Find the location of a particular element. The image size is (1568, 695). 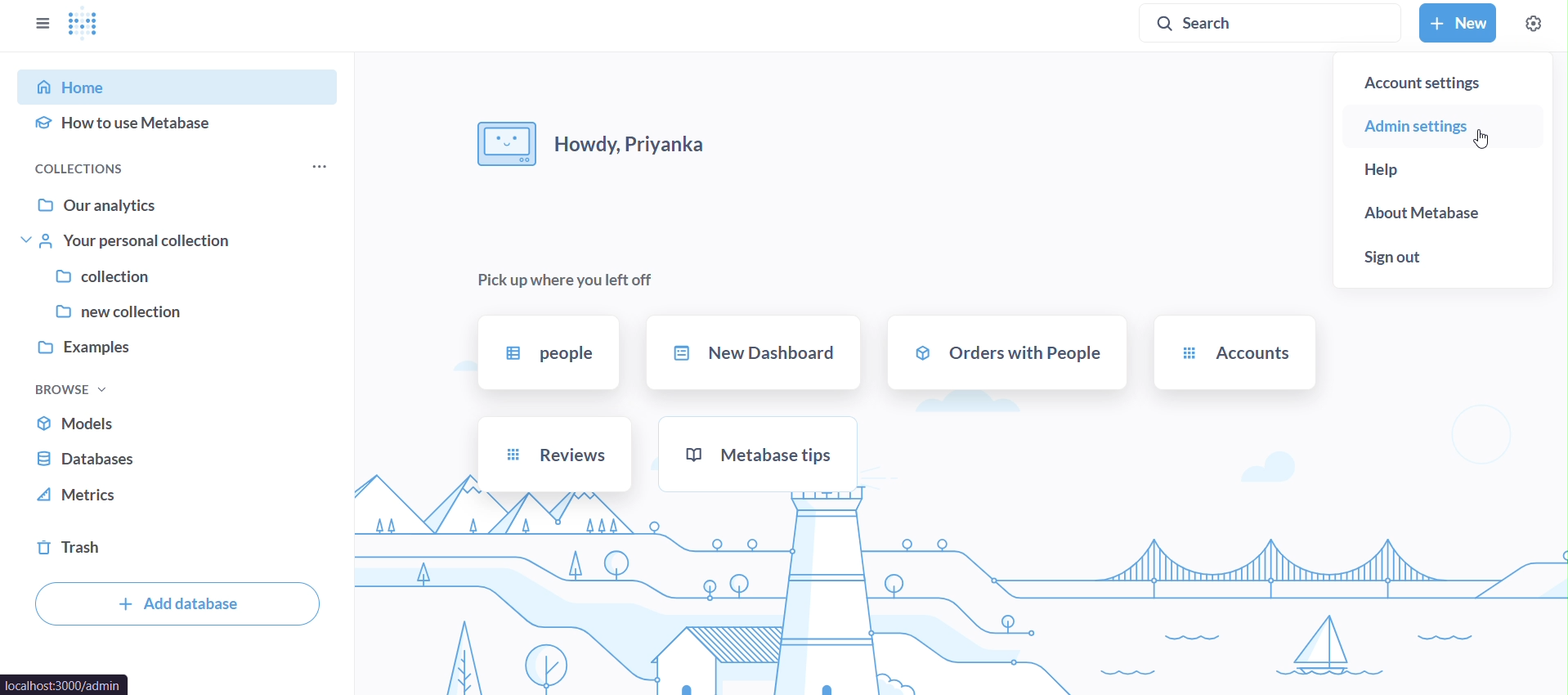

close sidebar is located at coordinates (39, 24).